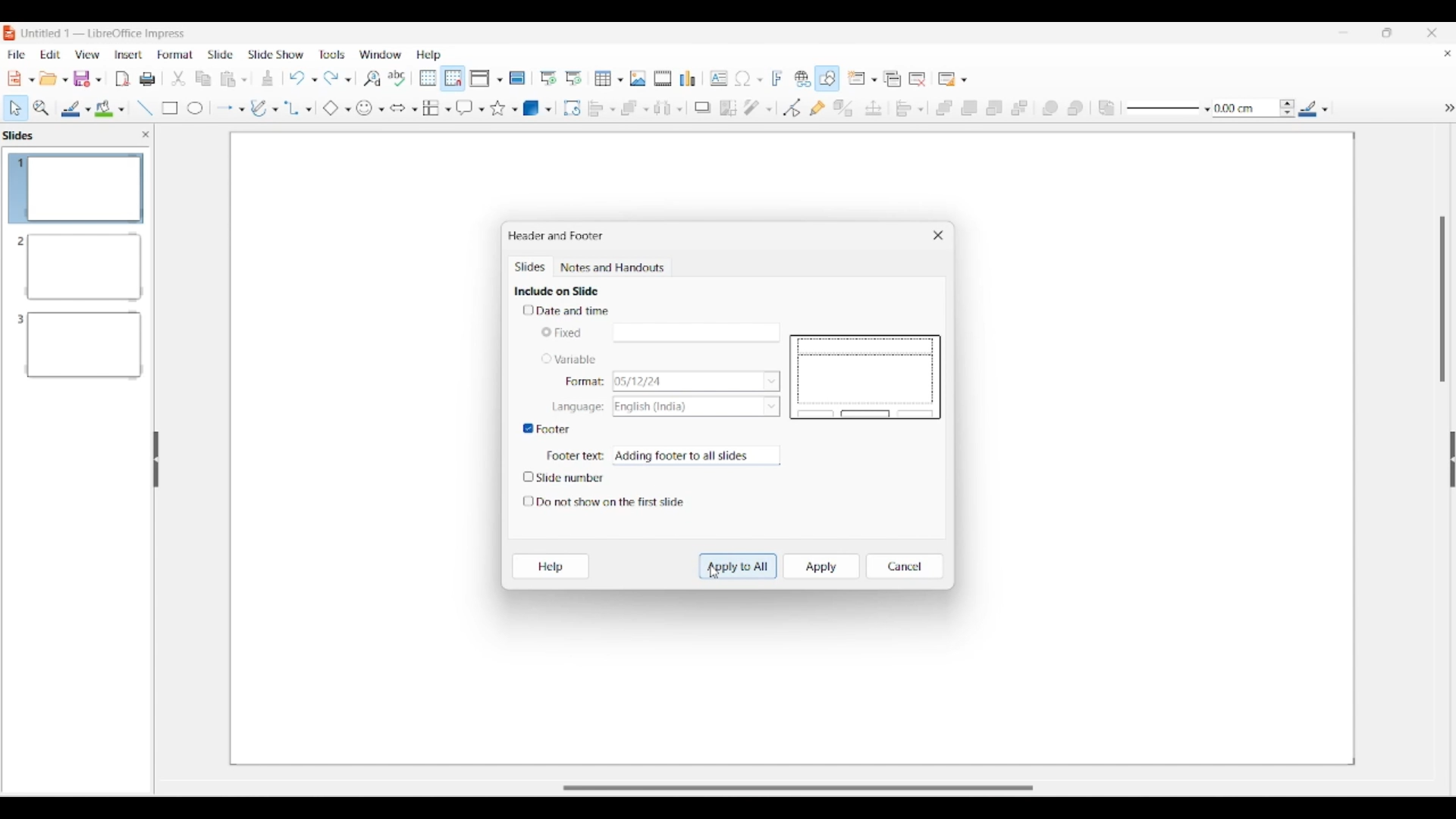 The image size is (1456, 819). What do you see at coordinates (221, 55) in the screenshot?
I see `Slide menu` at bounding box center [221, 55].